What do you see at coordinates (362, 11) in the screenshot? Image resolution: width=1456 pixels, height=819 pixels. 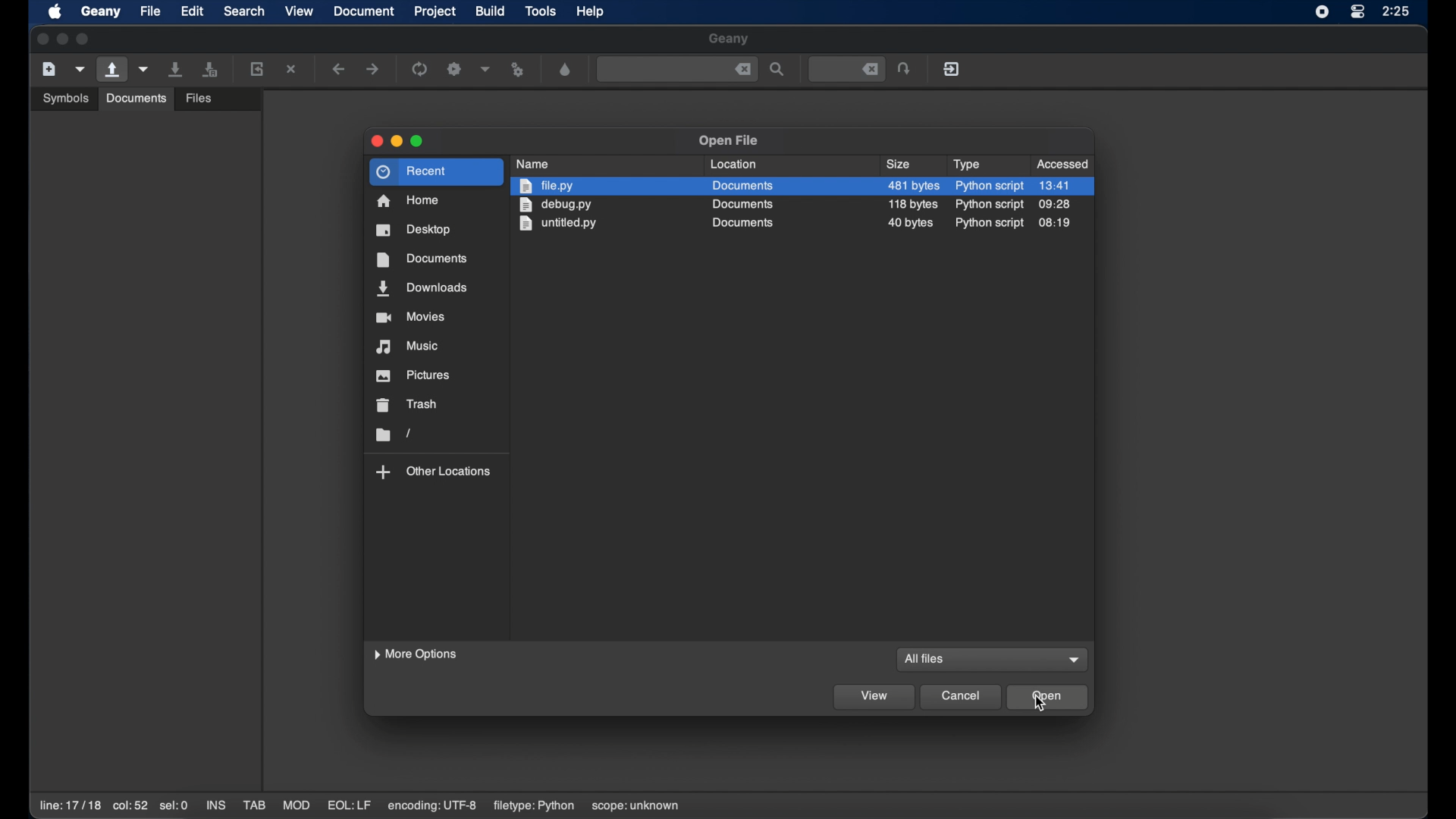 I see `document` at bounding box center [362, 11].